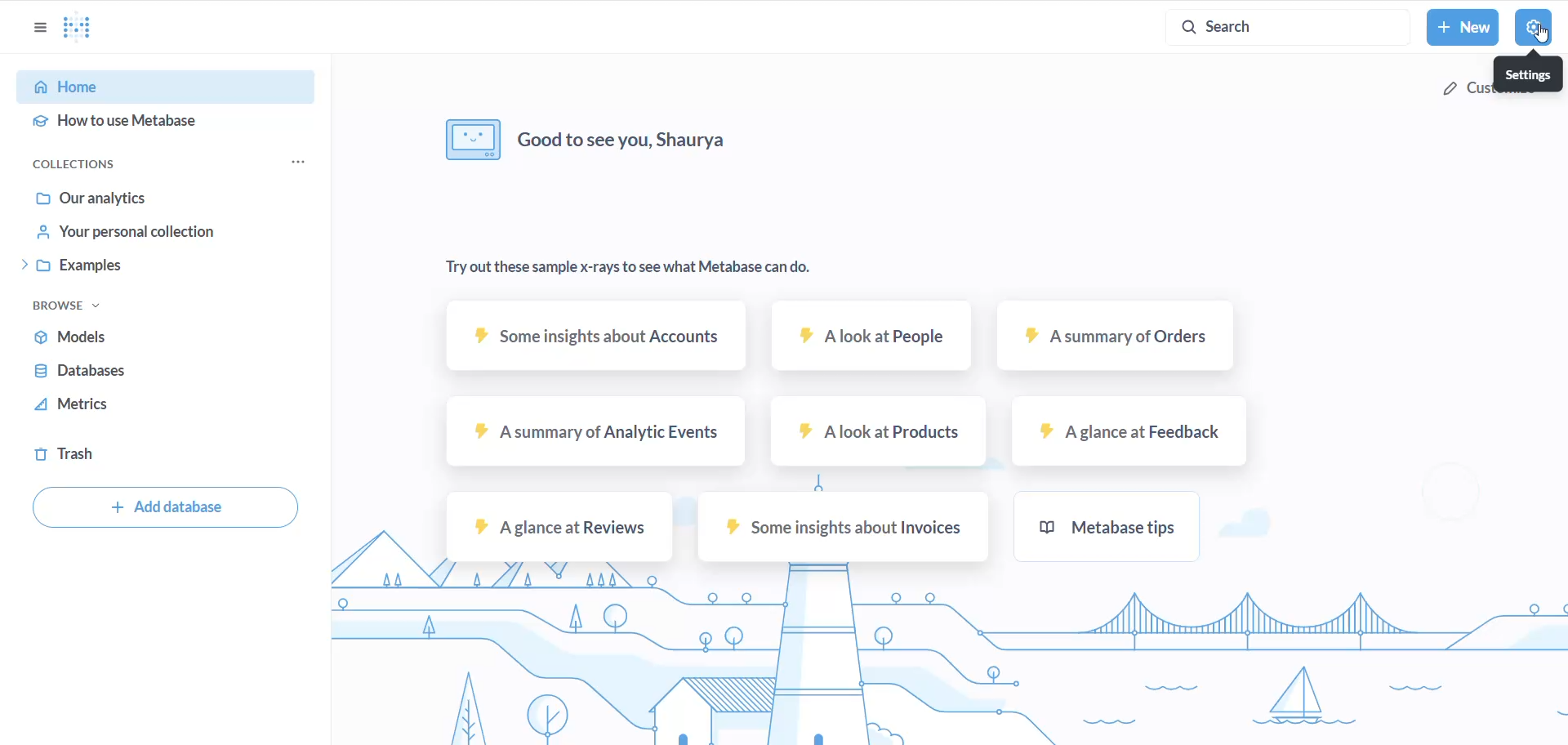 The width and height of the screenshot is (1568, 745). What do you see at coordinates (180, 267) in the screenshot?
I see `EXAMPLE` at bounding box center [180, 267].